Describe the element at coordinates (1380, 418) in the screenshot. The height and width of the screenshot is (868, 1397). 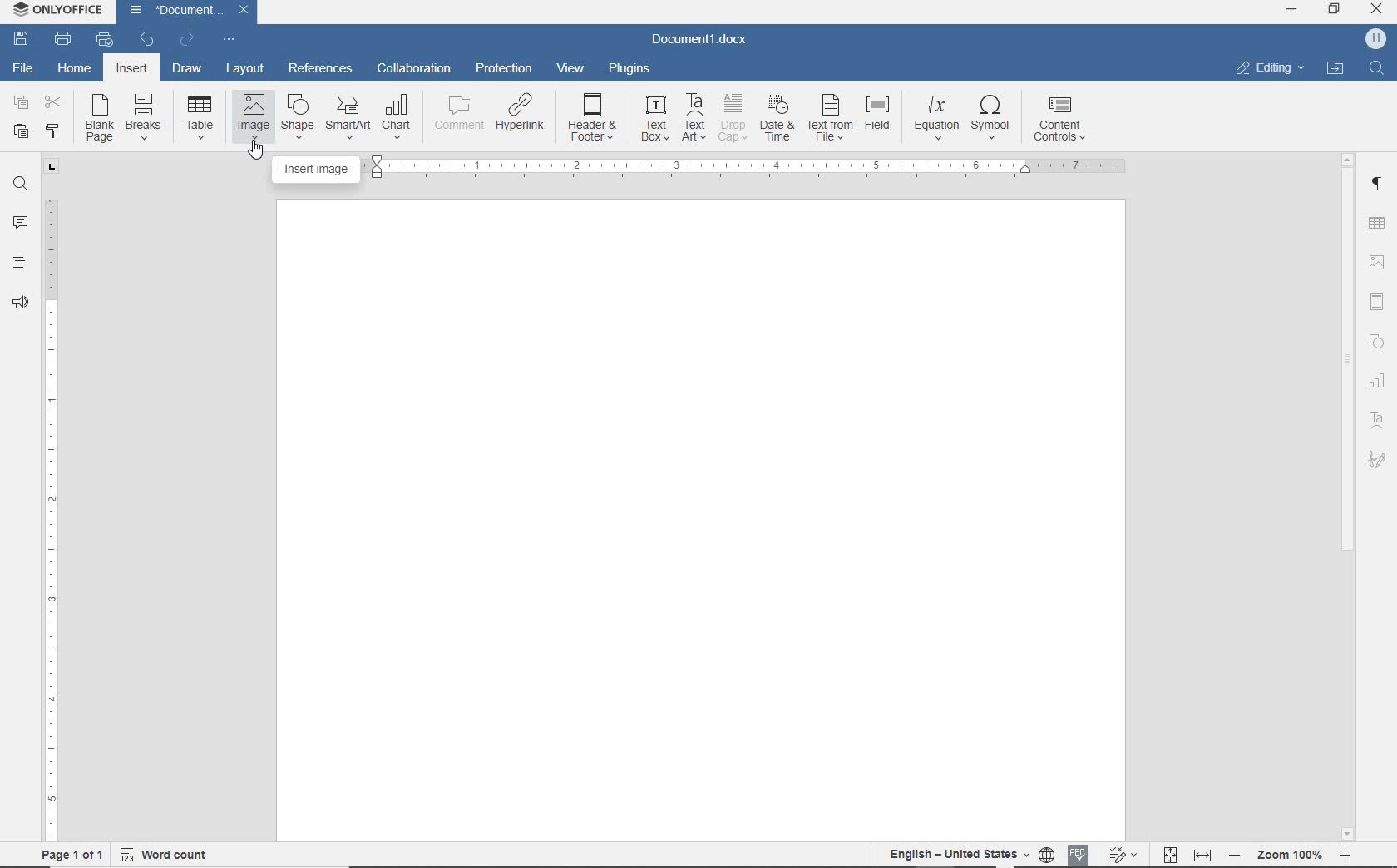
I see `TextArt` at that location.